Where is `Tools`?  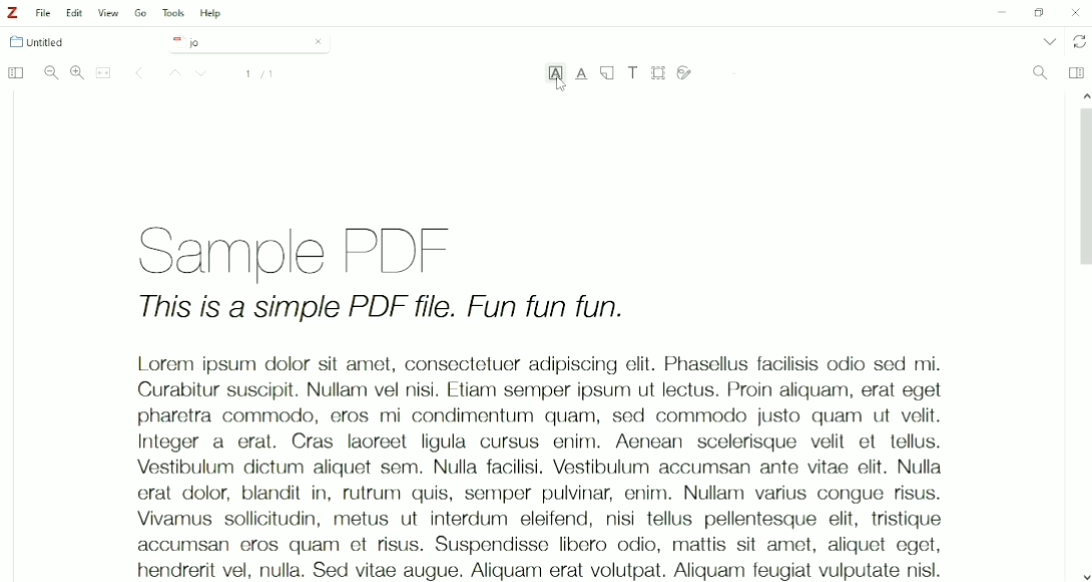 Tools is located at coordinates (173, 13).